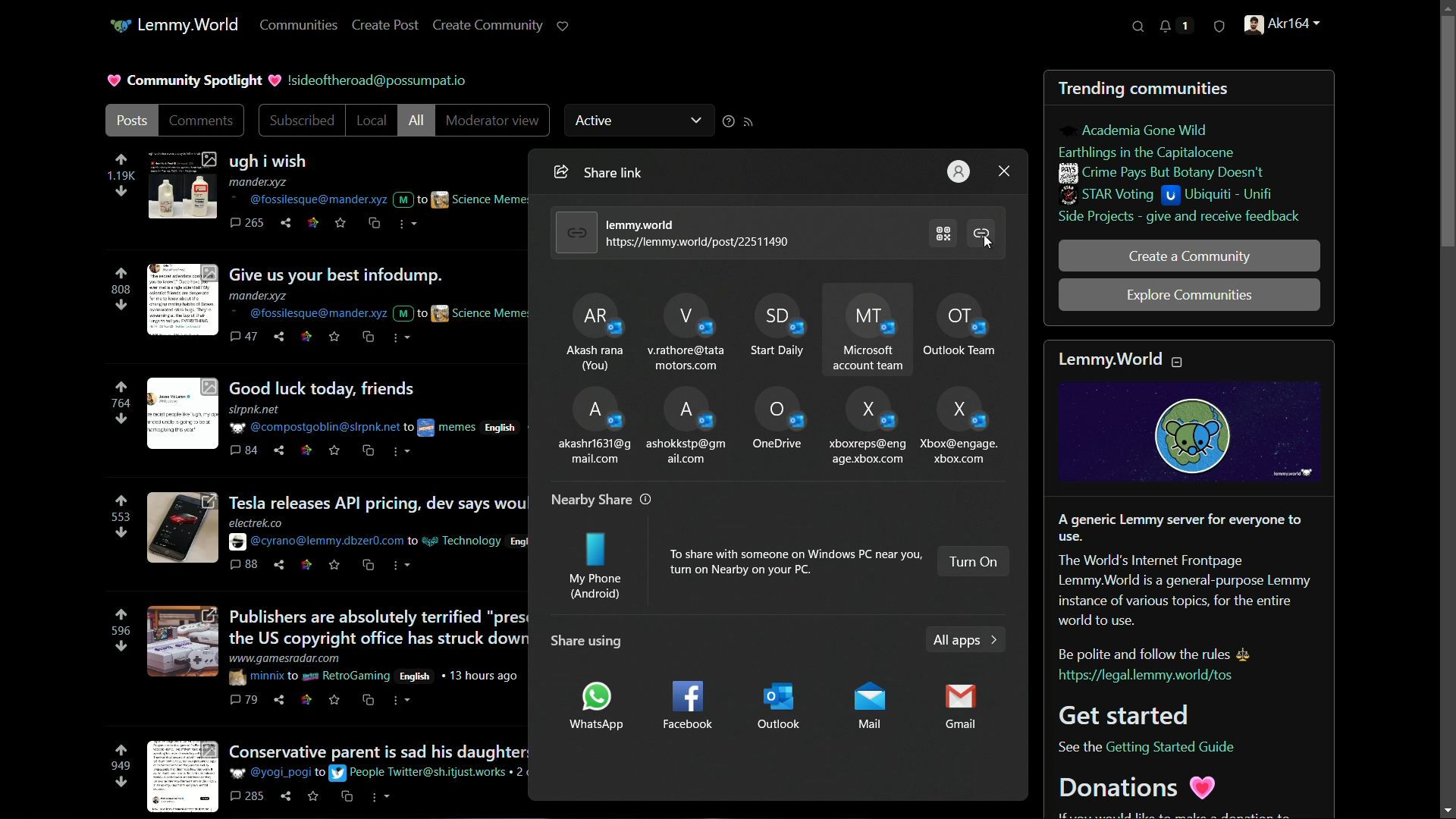 The image size is (1456, 819). Describe the element at coordinates (179, 777) in the screenshot. I see `thumbnail` at that location.